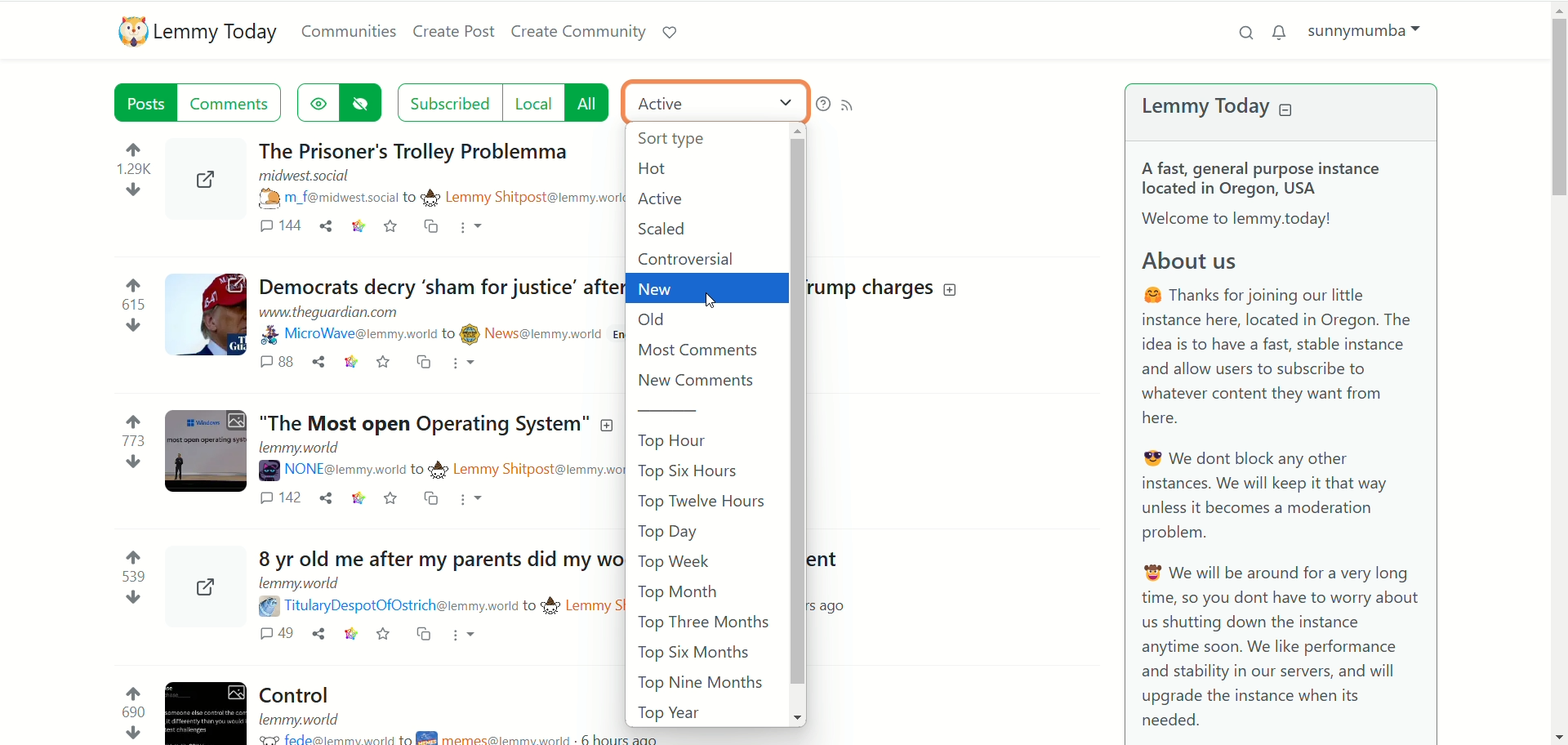  Describe the element at coordinates (315, 366) in the screenshot. I see `share` at that location.